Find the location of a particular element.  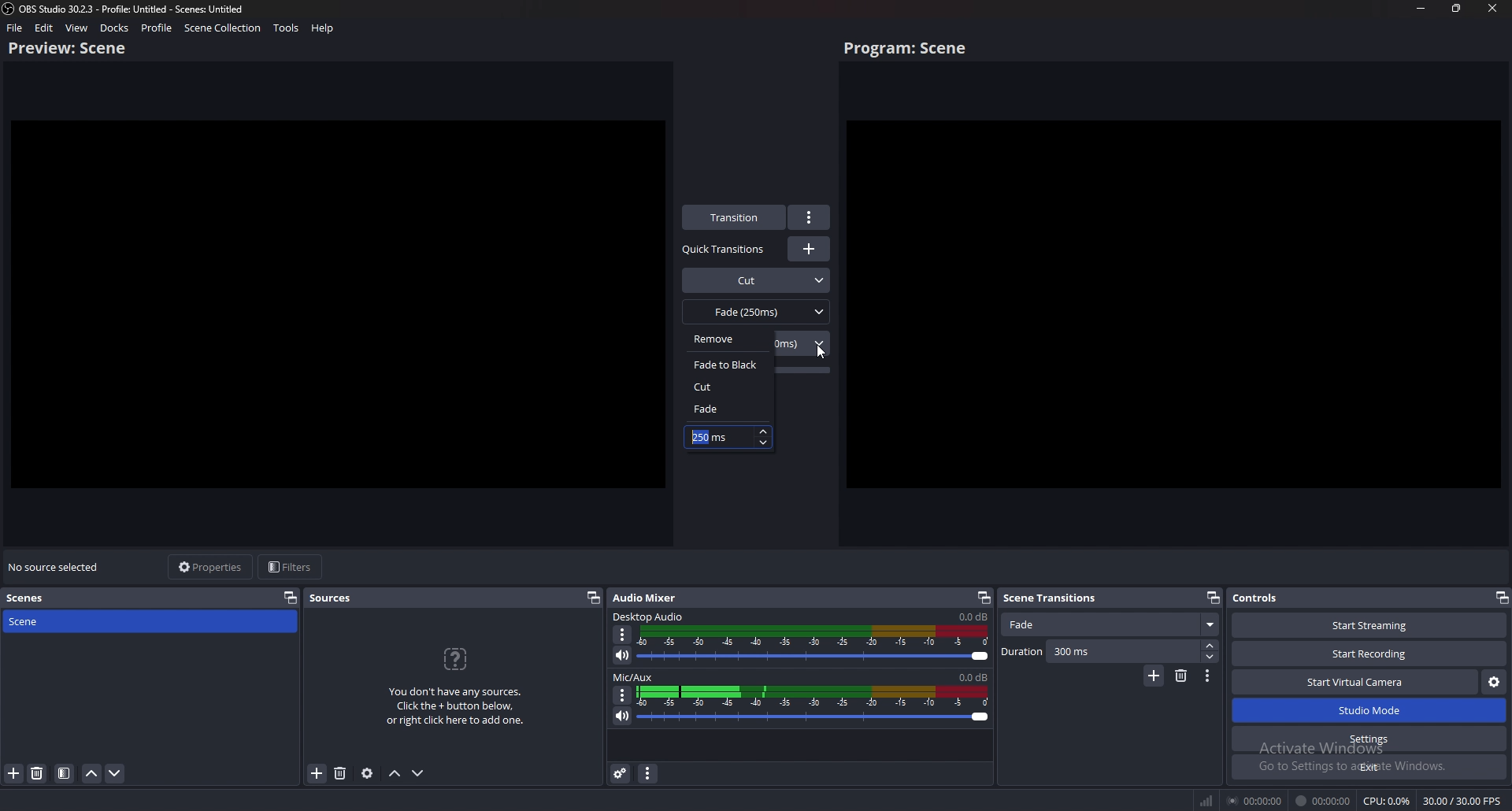

Delete sources is located at coordinates (339, 773).